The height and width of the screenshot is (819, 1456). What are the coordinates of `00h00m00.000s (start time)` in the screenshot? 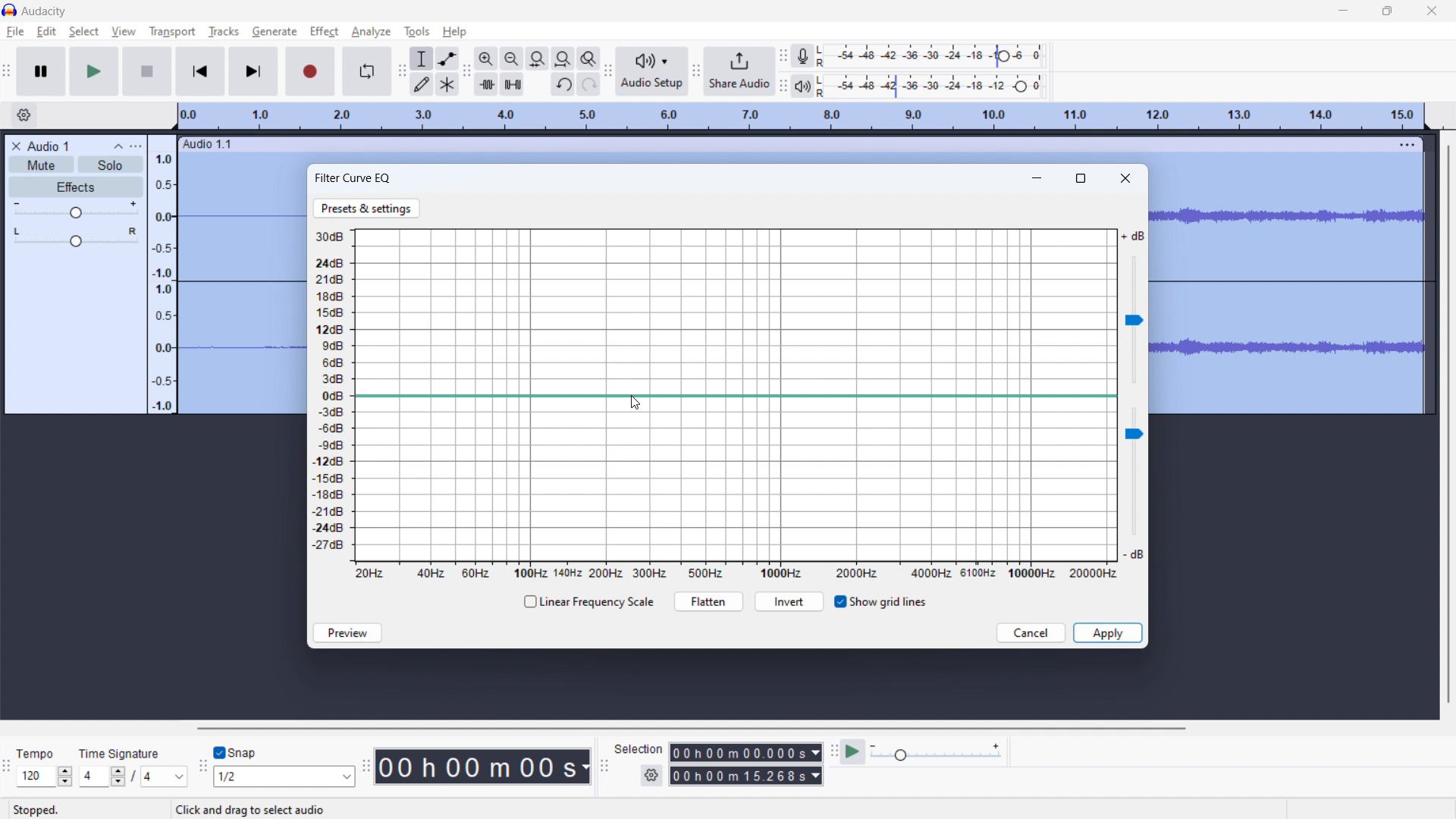 It's located at (745, 751).